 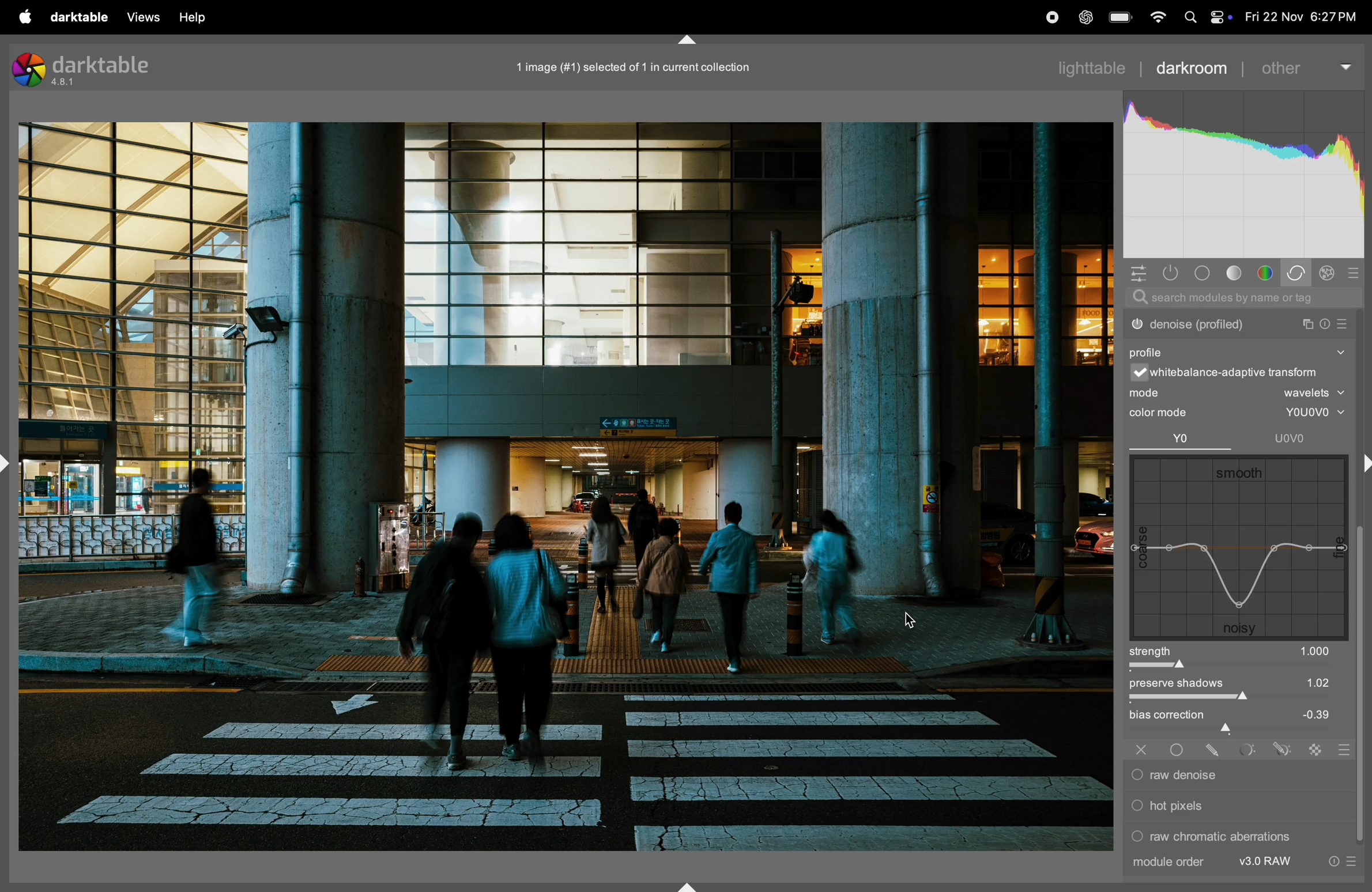 I want to click on darktable, so click(x=82, y=18).